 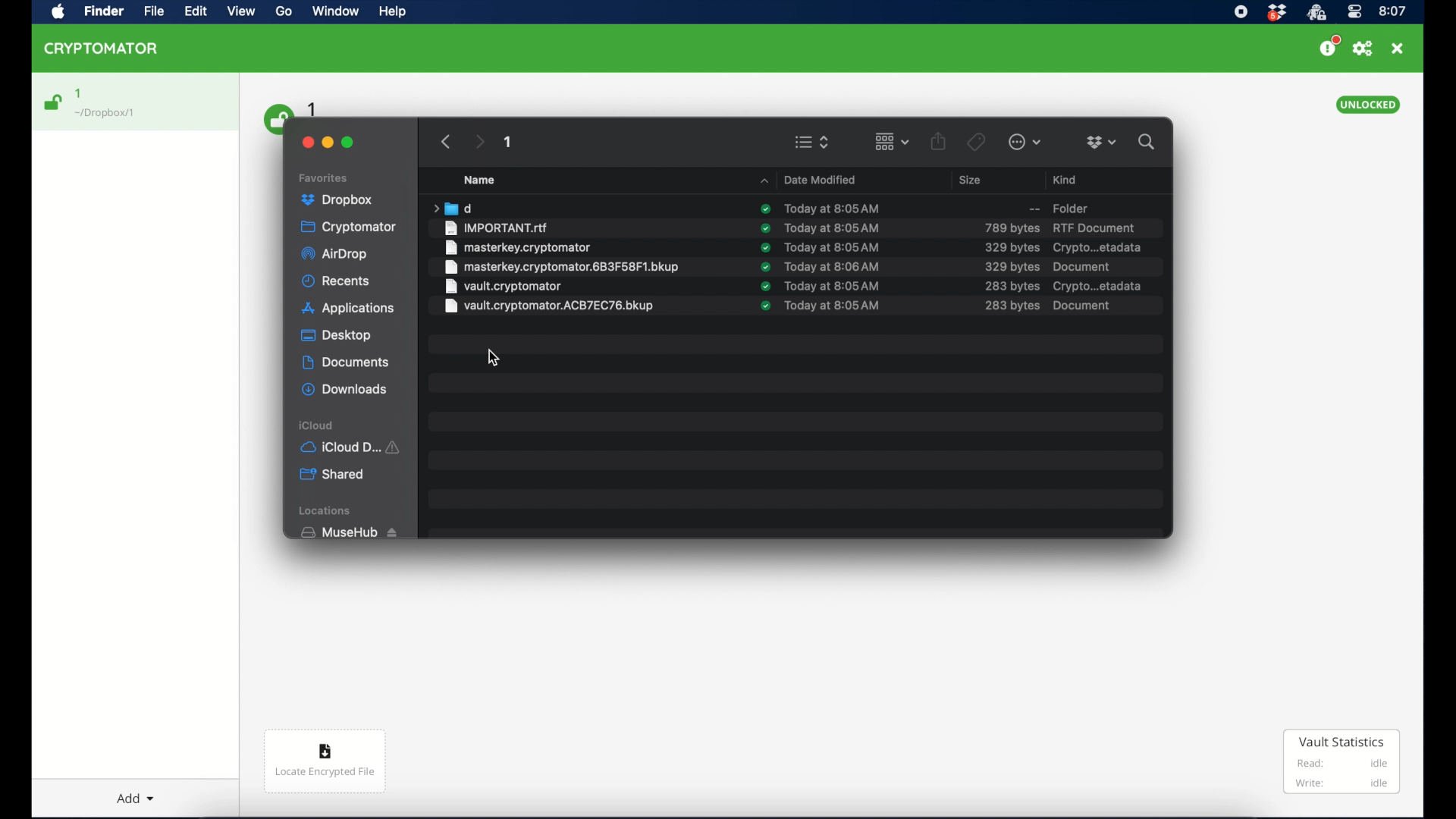 I want to click on , so click(x=765, y=266).